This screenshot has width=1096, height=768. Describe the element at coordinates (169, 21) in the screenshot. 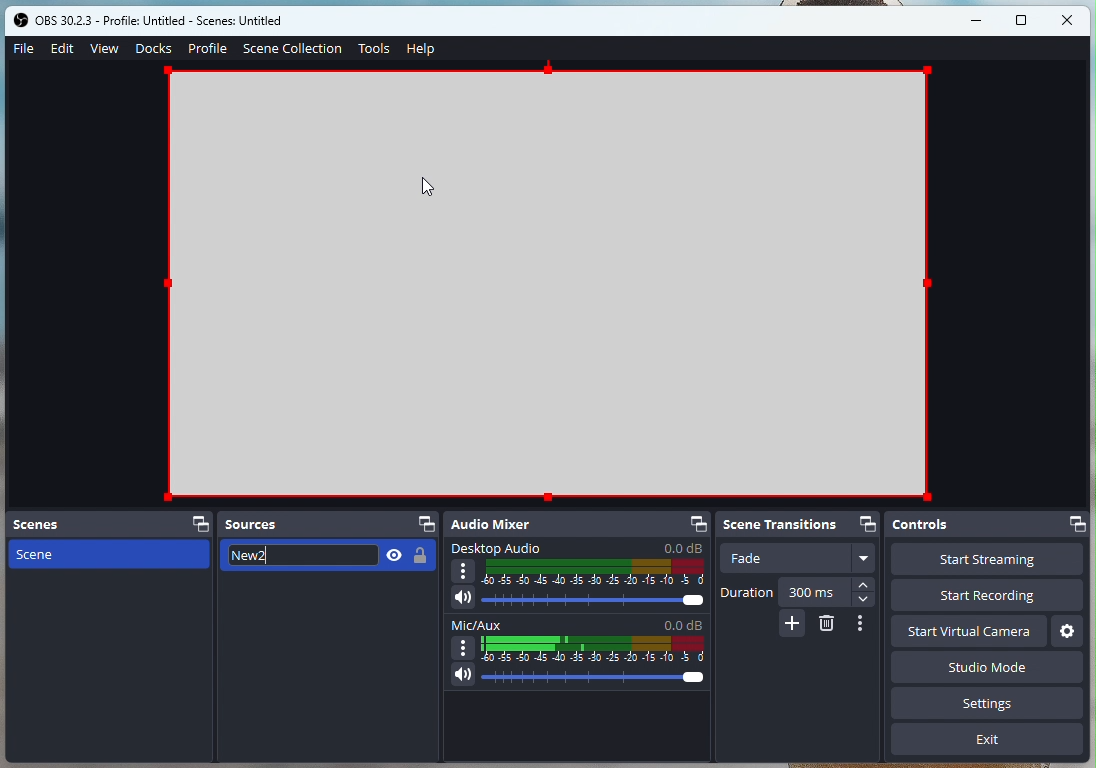

I see `obs studio` at that location.